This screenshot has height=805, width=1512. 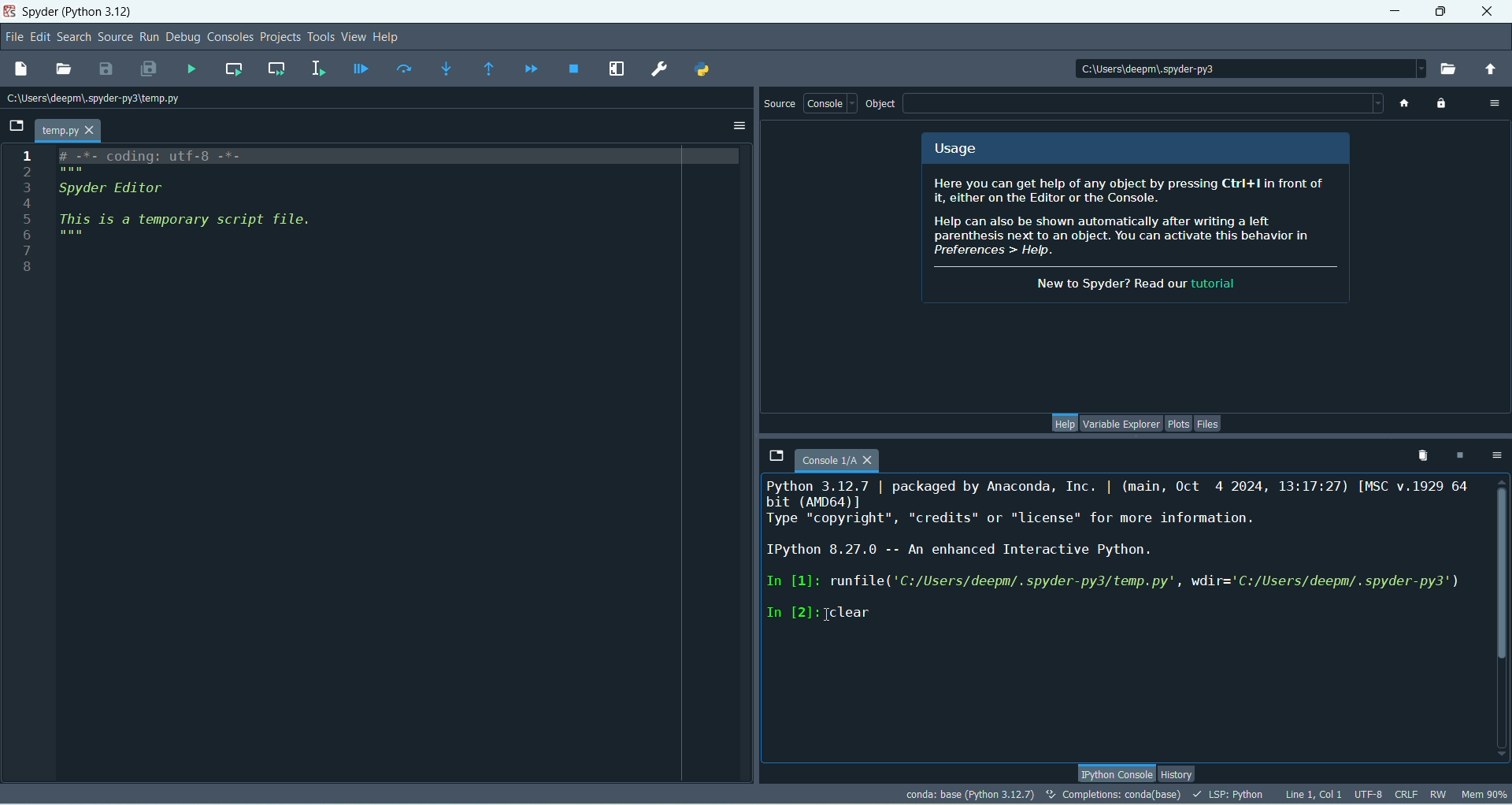 I want to click on spyder info, so click(x=1138, y=236).